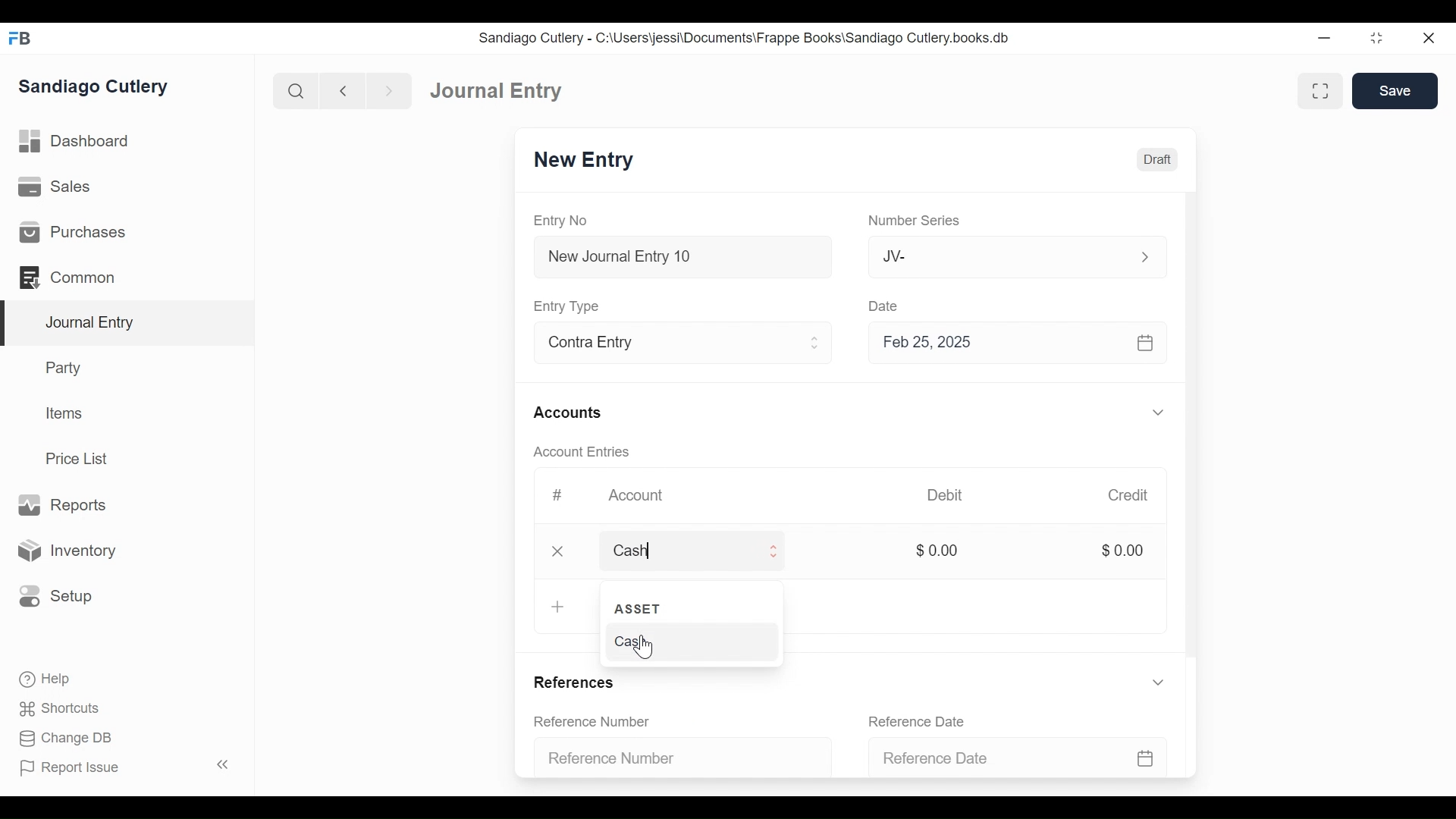 The image size is (1456, 819). Describe the element at coordinates (42, 677) in the screenshot. I see `Help` at that location.